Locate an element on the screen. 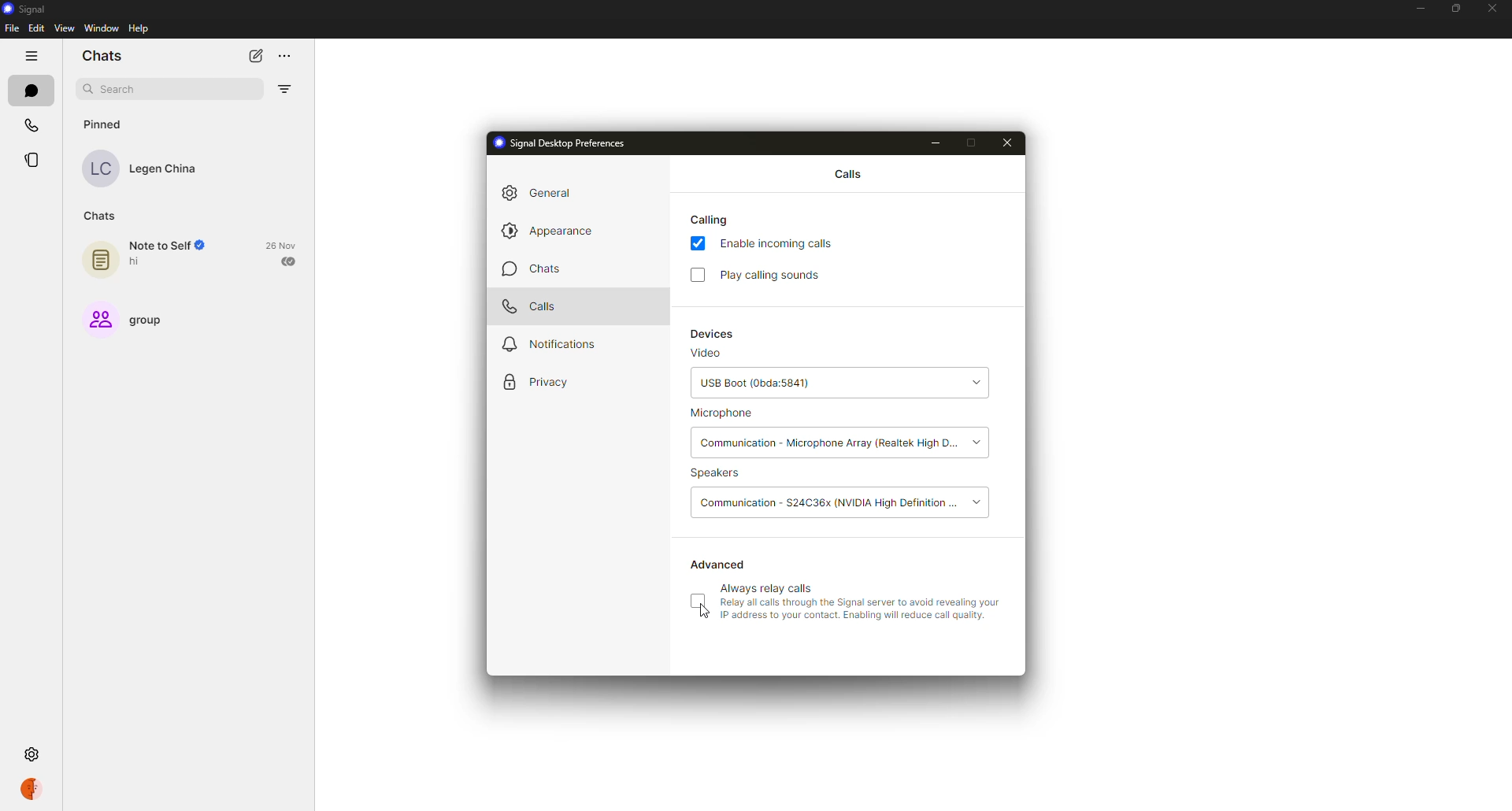  profile is located at coordinates (31, 791).